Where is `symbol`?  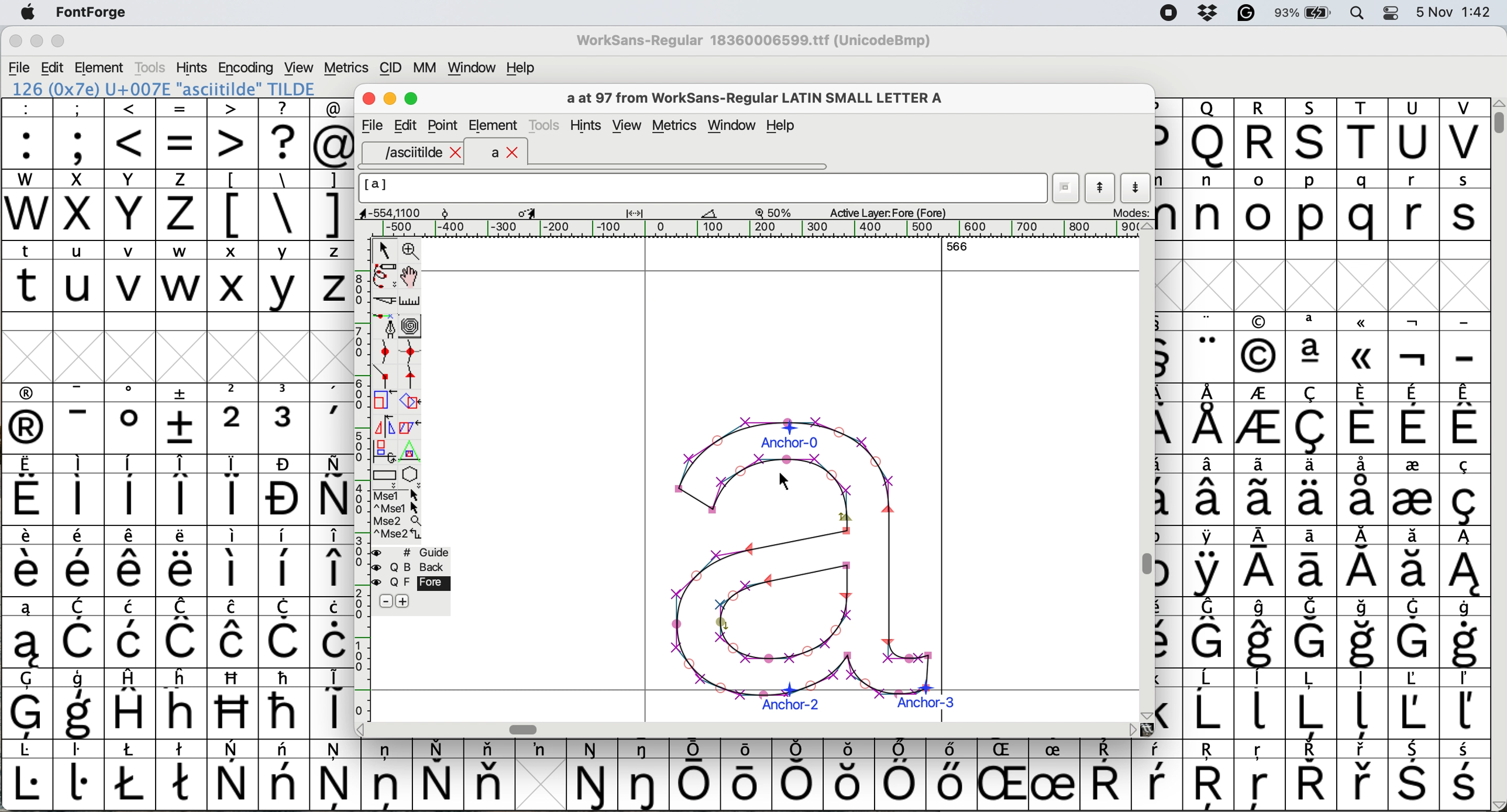 symbol is located at coordinates (1210, 704).